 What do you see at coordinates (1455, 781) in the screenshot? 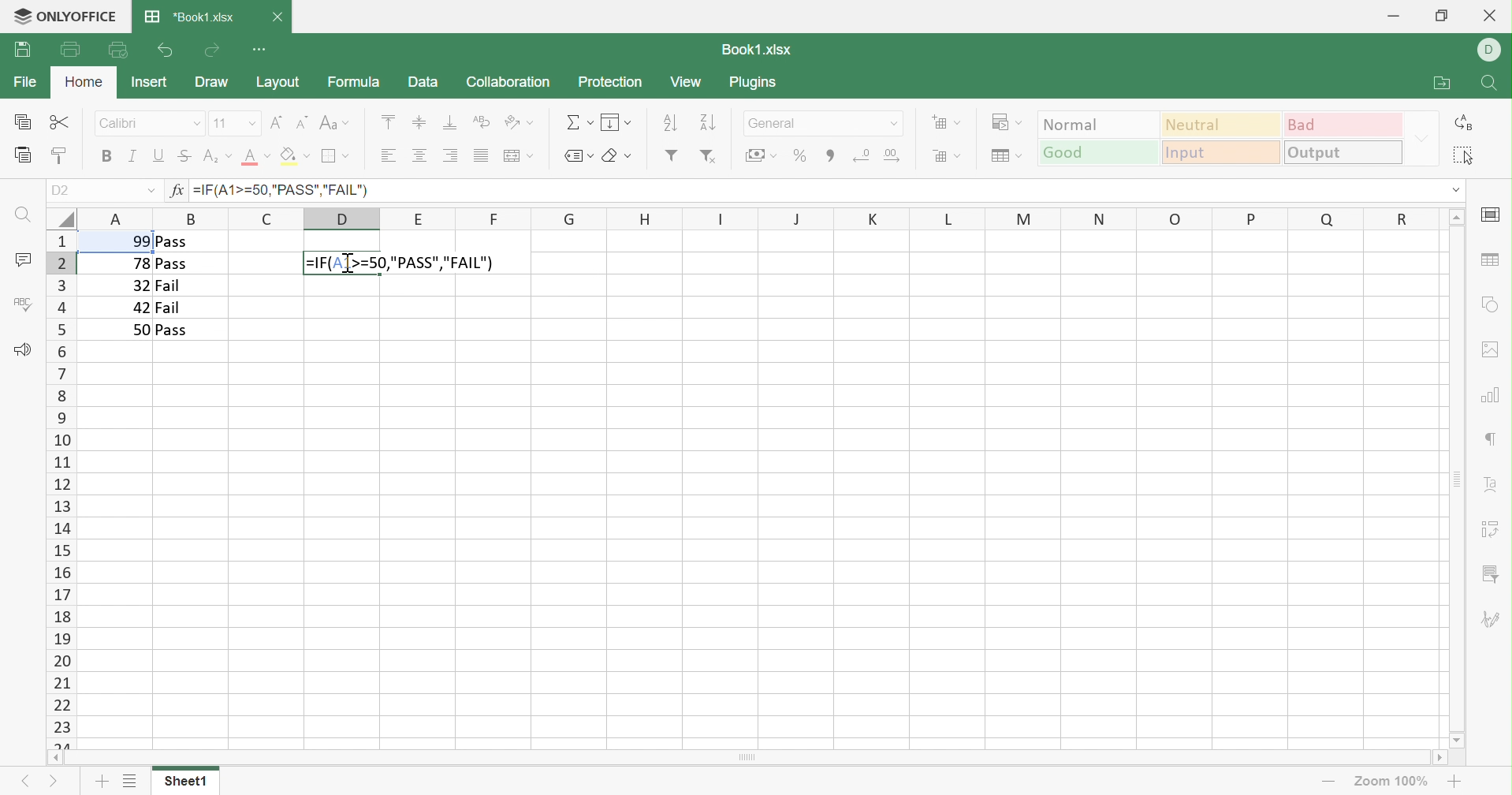
I see `Zoom in` at bounding box center [1455, 781].